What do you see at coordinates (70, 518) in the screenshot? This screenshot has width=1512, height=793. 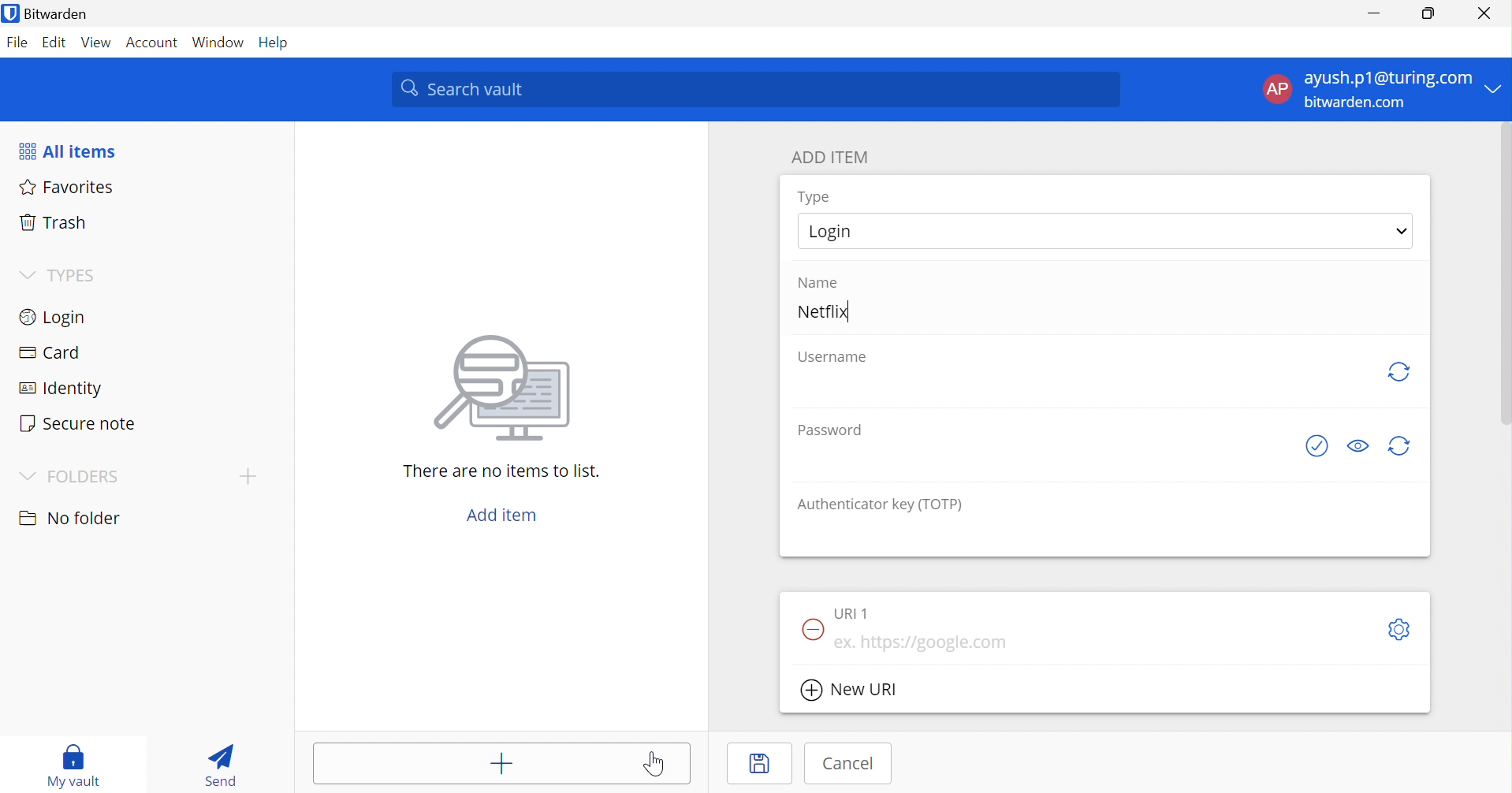 I see `No folder` at bounding box center [70, 518].